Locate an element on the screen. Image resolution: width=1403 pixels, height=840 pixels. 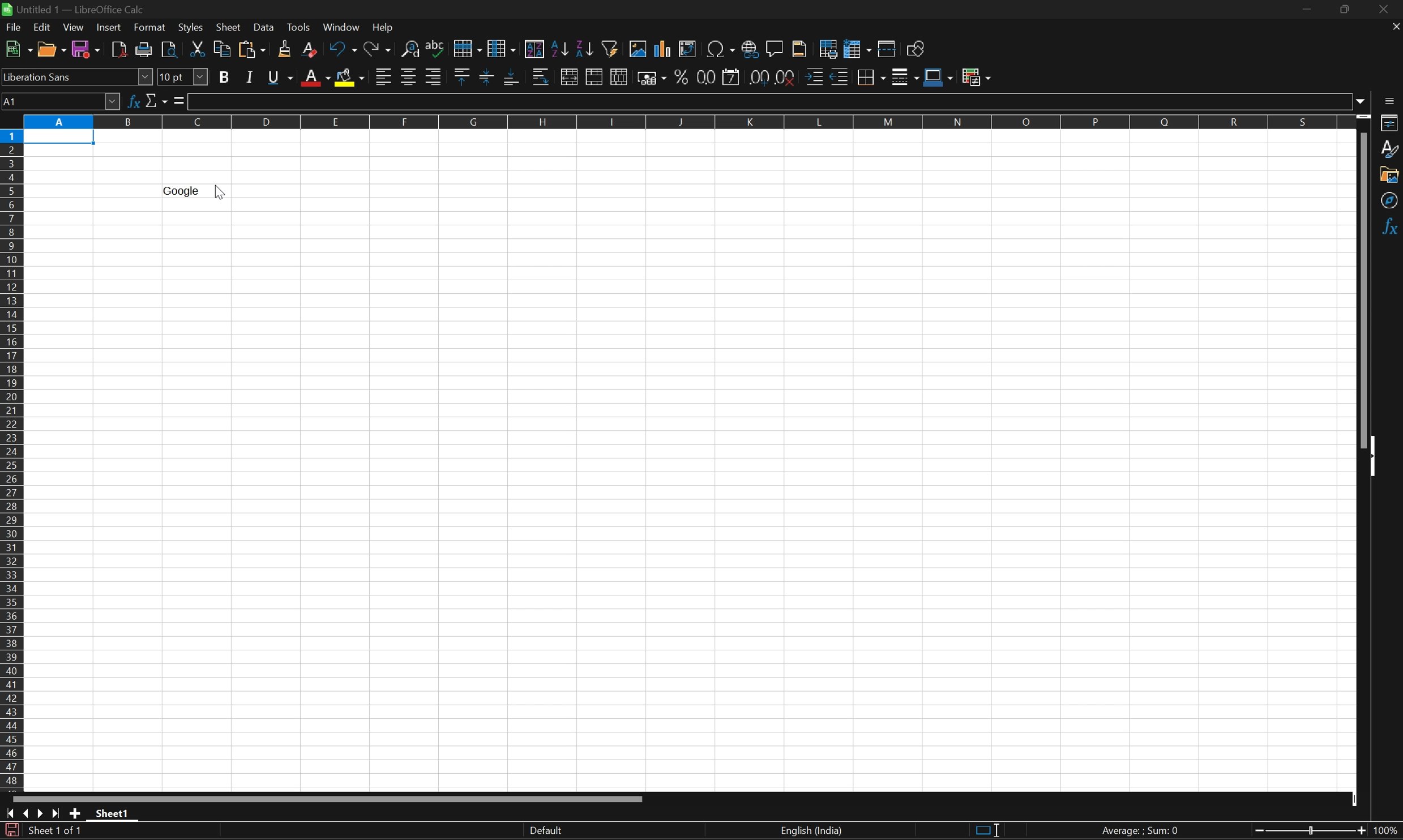
Find and replace is located at coordinates (412, 48).